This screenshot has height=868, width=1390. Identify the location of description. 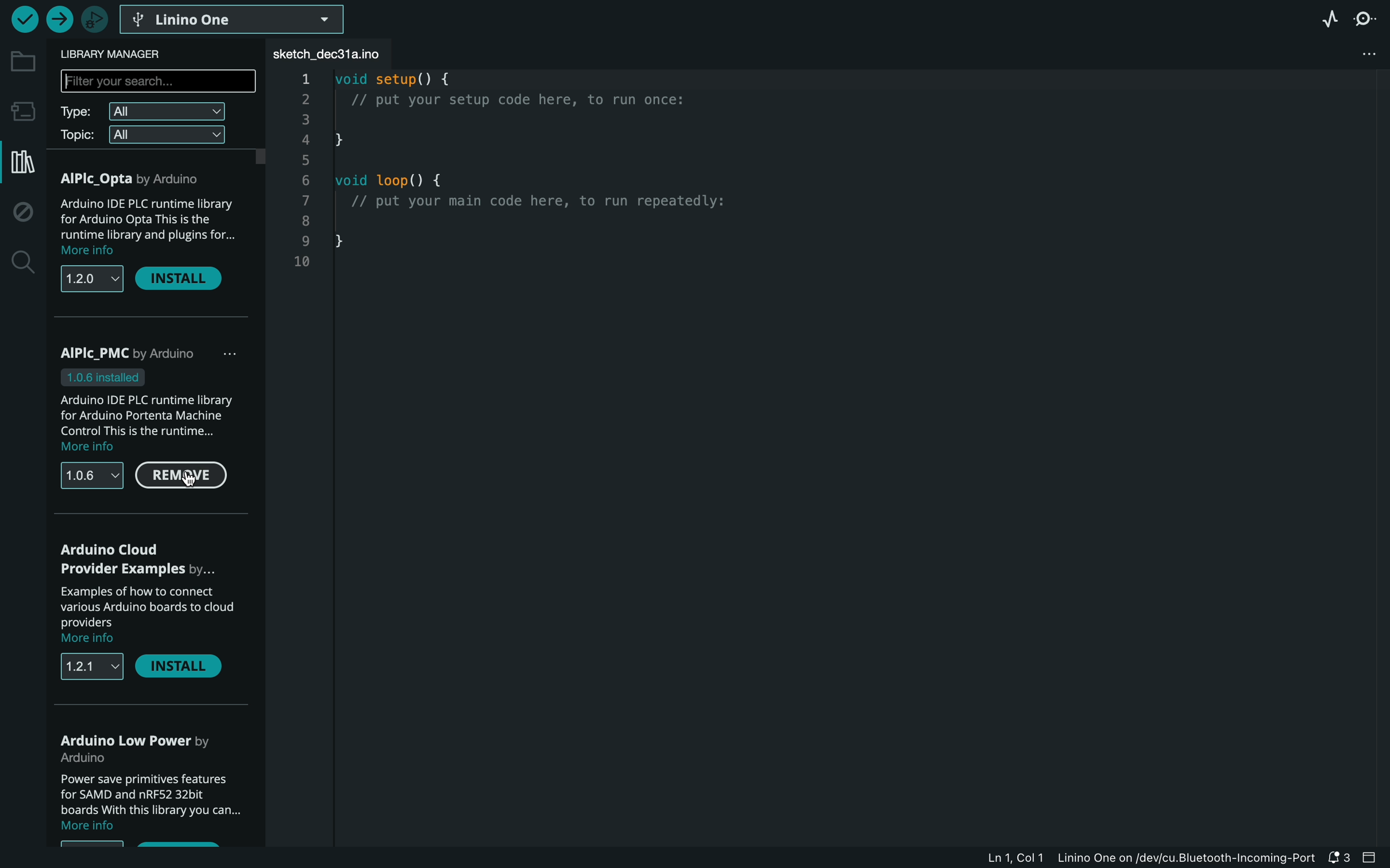
(152, 804).